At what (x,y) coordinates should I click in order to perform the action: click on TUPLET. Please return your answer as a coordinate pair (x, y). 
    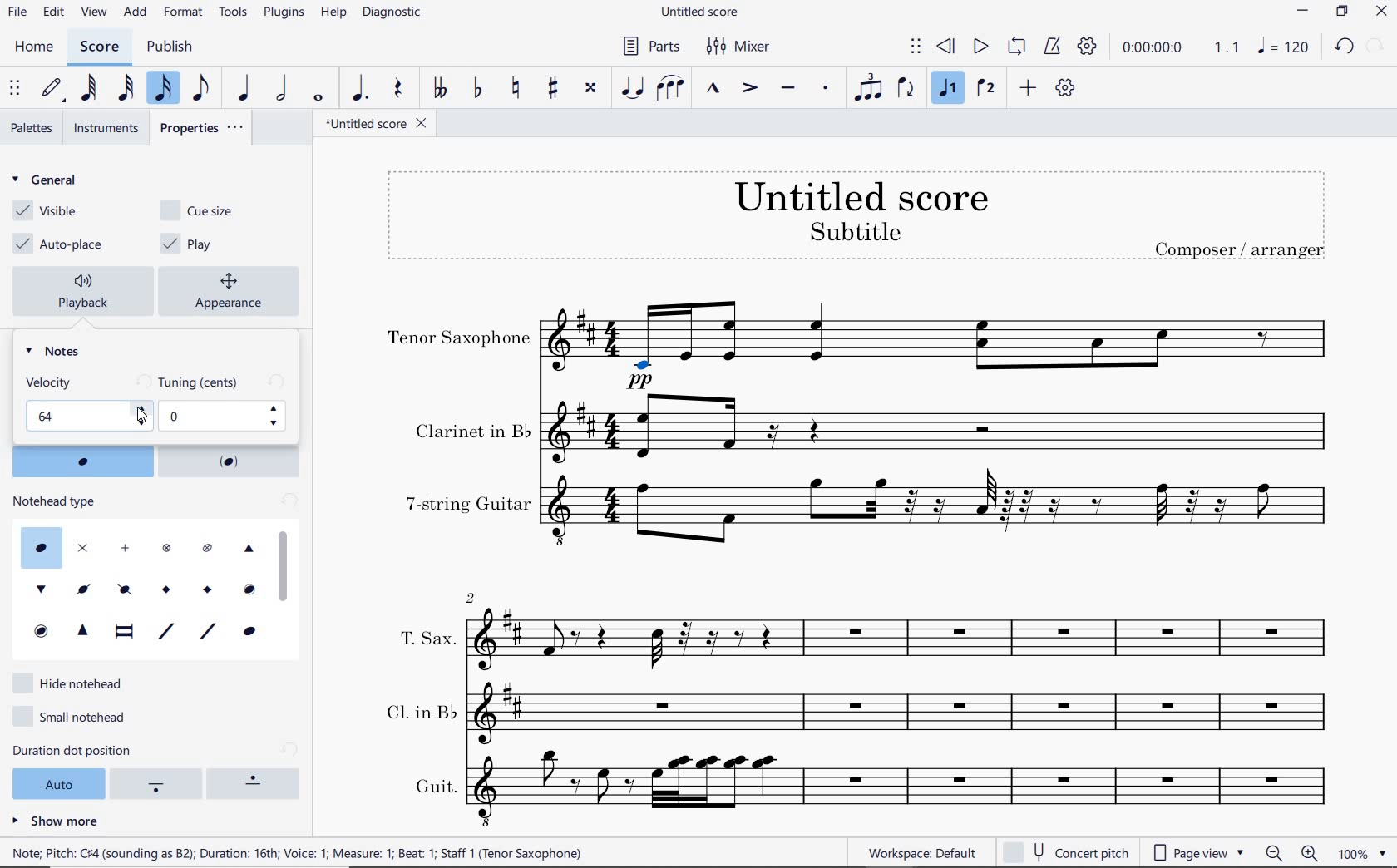
    Looking at the image, I should click on (869, 86).